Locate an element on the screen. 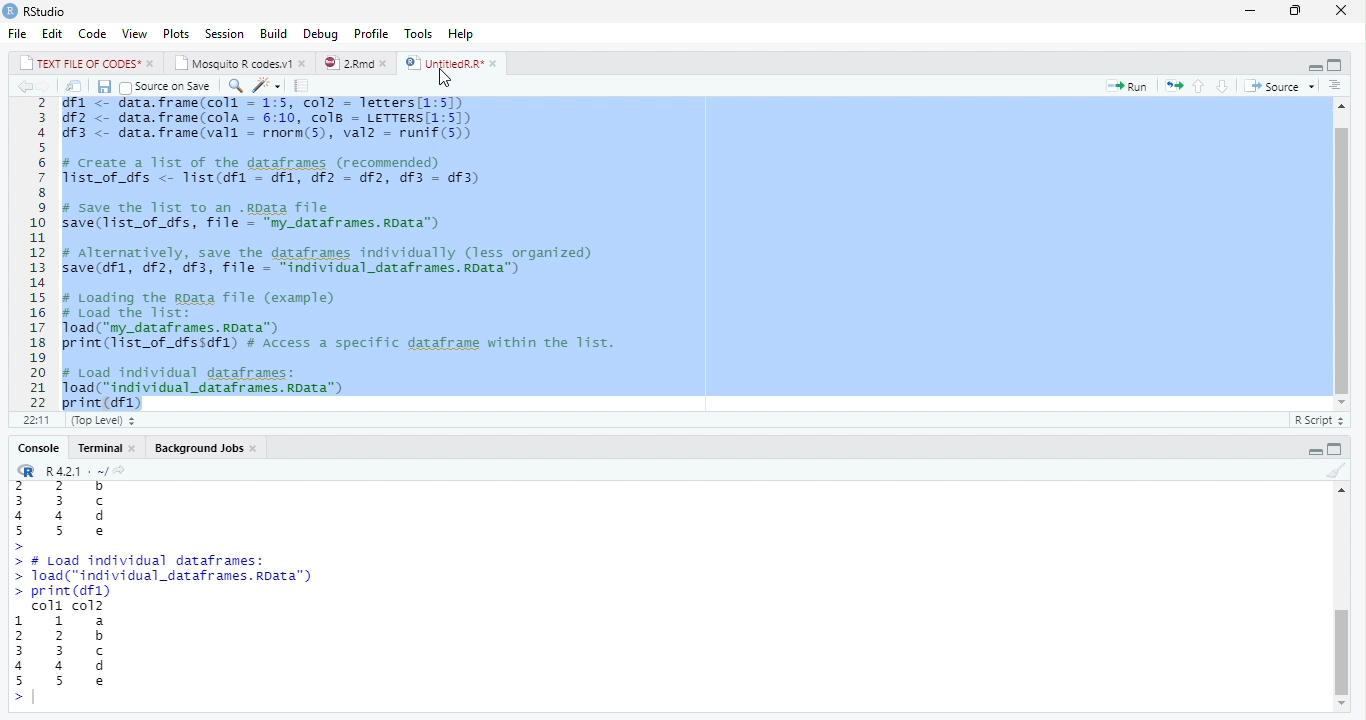  UntitiedR.R is located at coordinates (453, 63).